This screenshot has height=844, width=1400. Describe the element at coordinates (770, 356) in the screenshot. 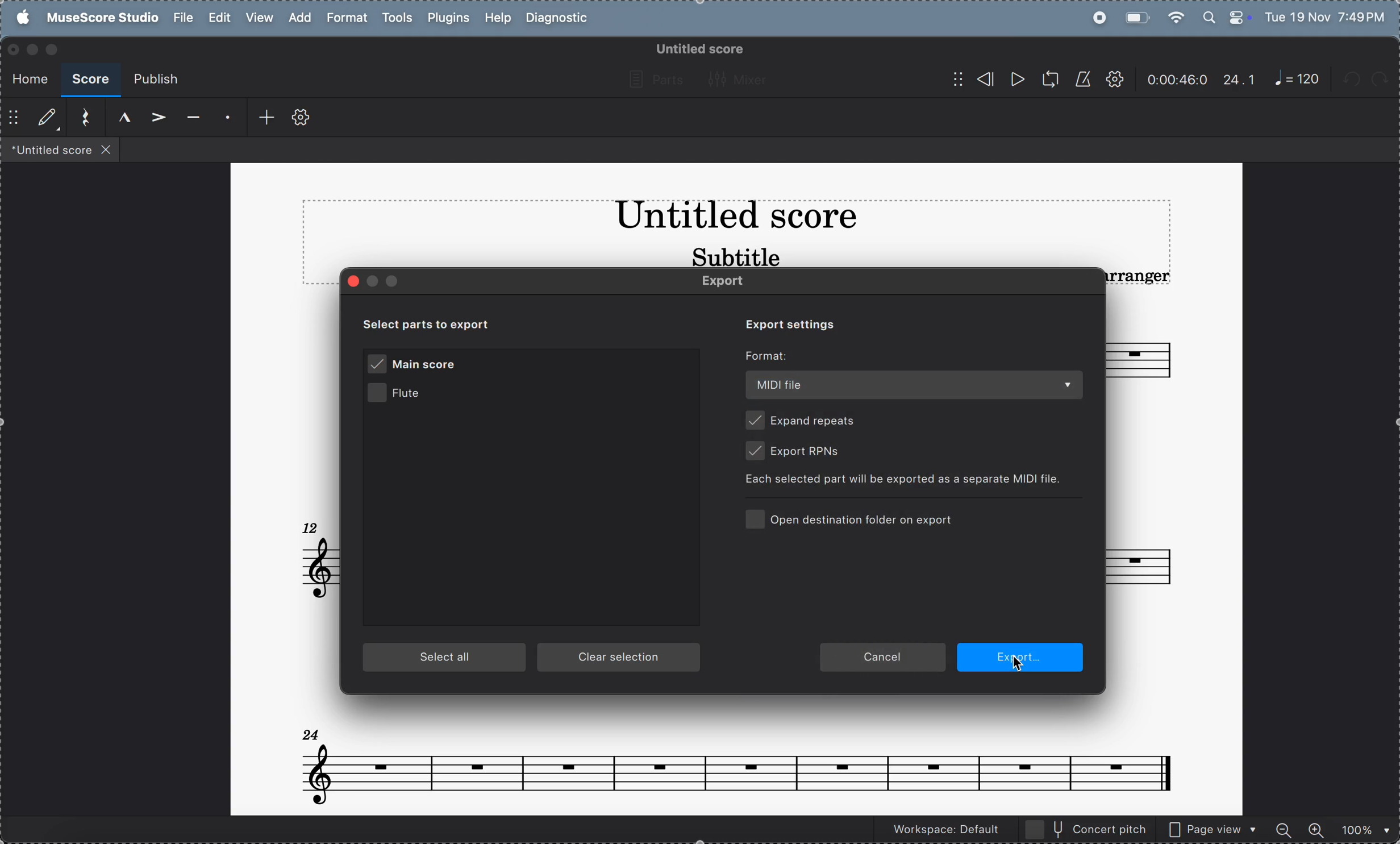

I see `Format` at that location.